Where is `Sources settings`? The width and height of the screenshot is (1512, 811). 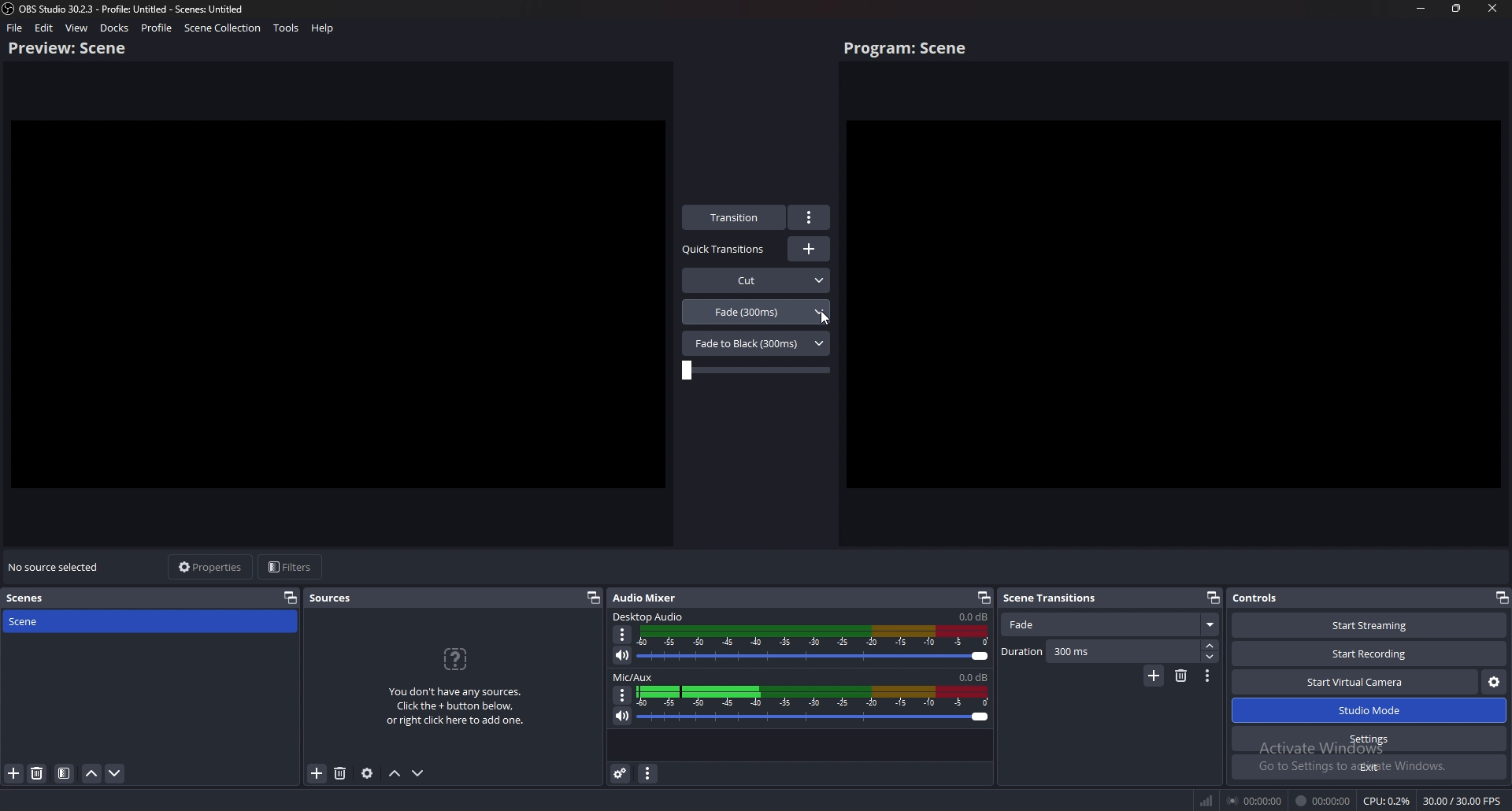 Sources settings is located at coordinates (368, 773).